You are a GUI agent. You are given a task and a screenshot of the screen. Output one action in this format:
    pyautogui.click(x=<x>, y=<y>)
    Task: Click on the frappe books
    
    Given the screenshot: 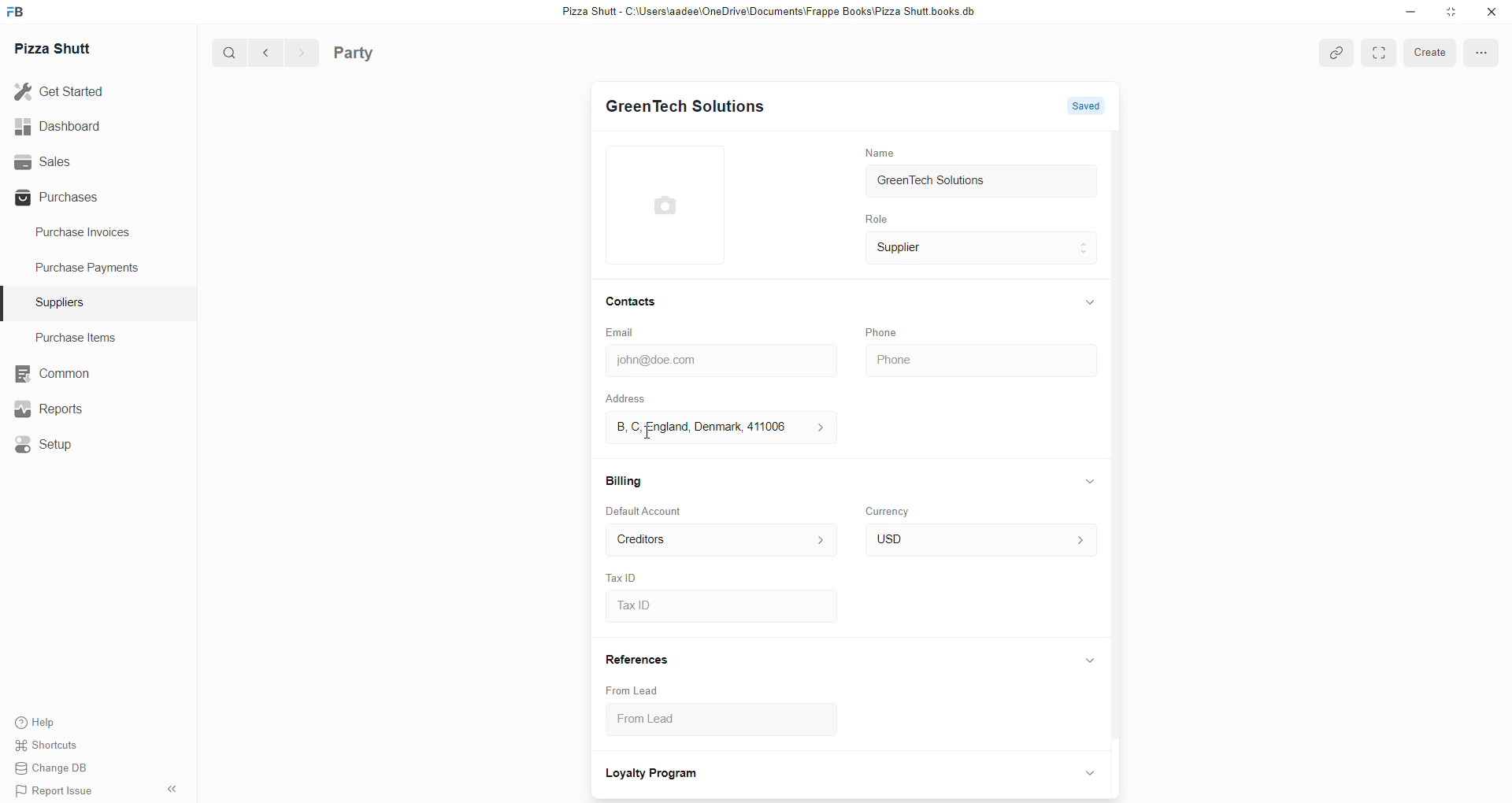 What is the action you would take?
    pyautogui.click(x=20, y=13)
    